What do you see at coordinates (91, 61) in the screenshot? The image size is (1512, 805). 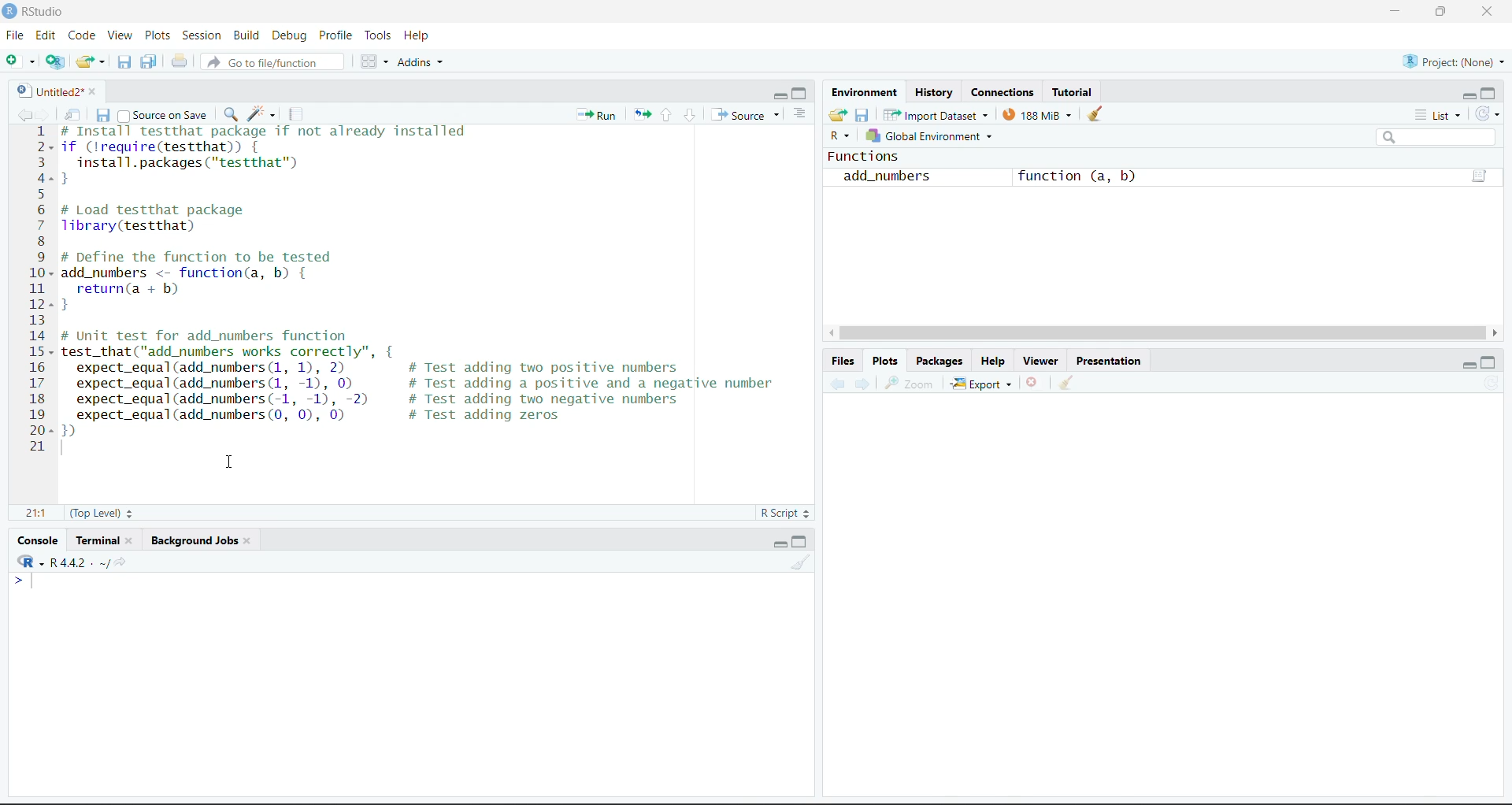 I see `open an existing file` at bounding box center [91, 61].